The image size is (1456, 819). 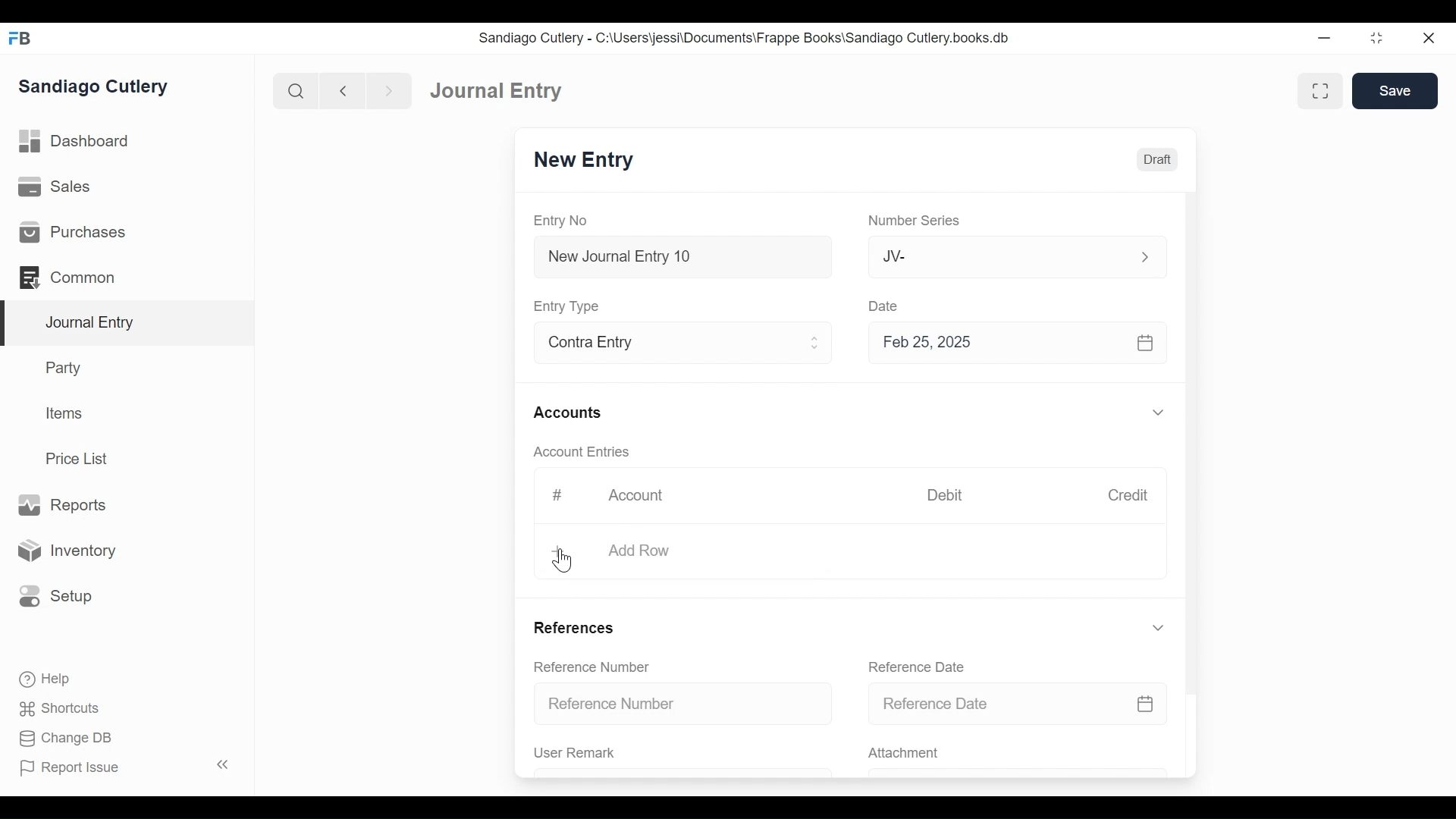 I want to click on #, so click(x=560, y=494).